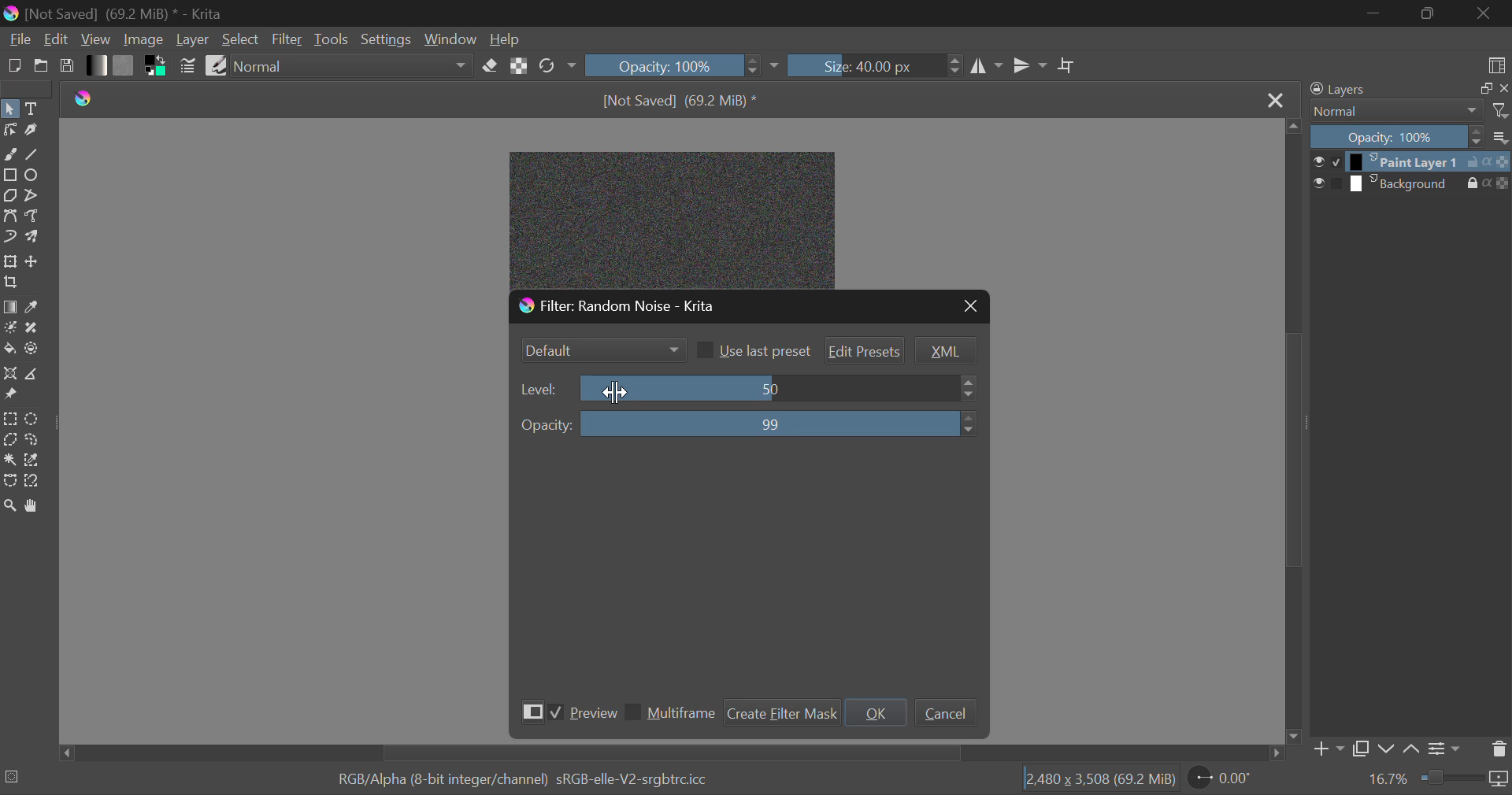 The width and height of the screenshot is (1512, 795). Describe the element at coordinates (157, 66) in the screenshot. I see `Colors in Use` at that location.